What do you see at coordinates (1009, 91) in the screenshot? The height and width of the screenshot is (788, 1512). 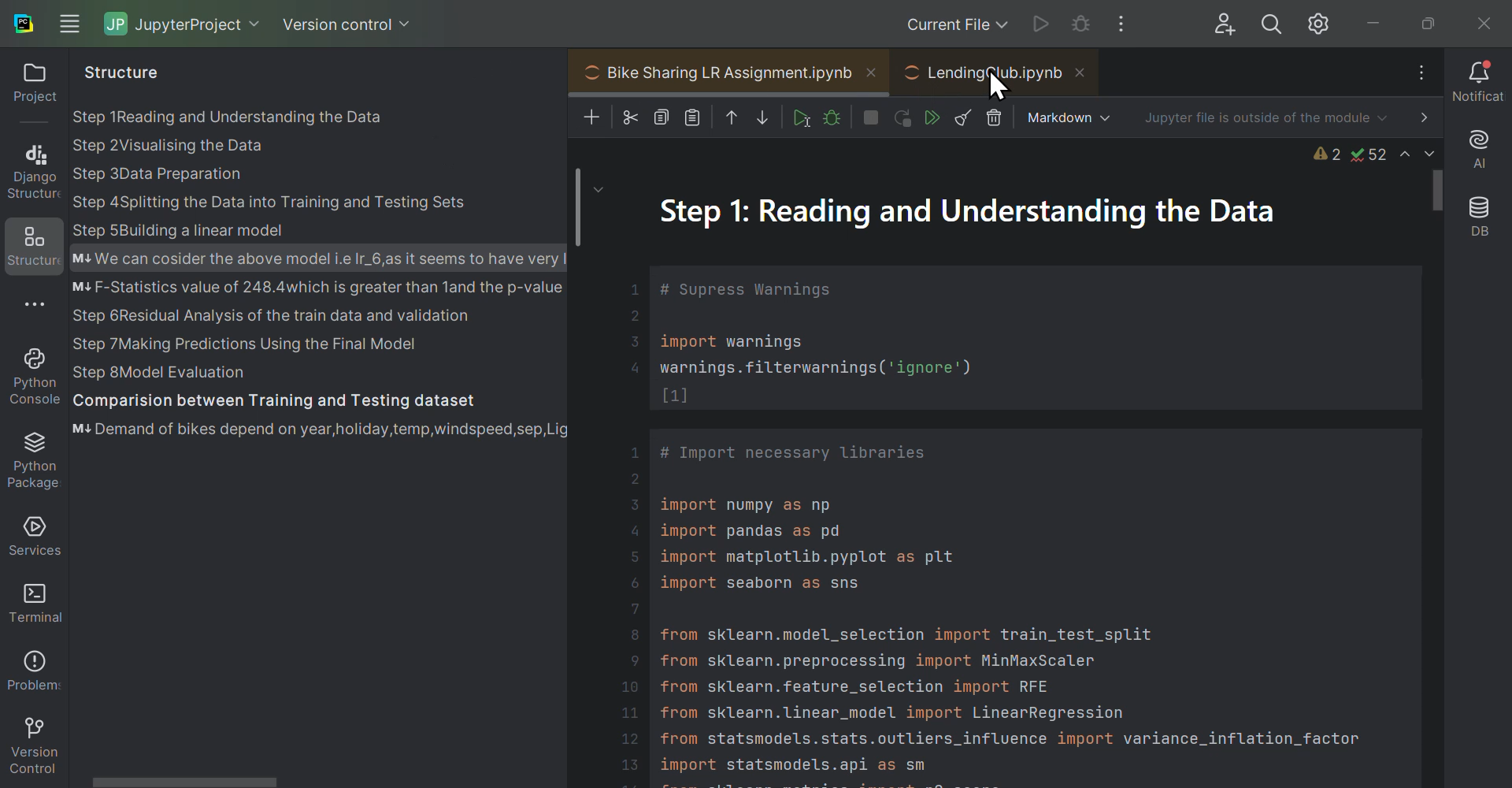 I see `Cursor` at bounding box center [1009, 91].